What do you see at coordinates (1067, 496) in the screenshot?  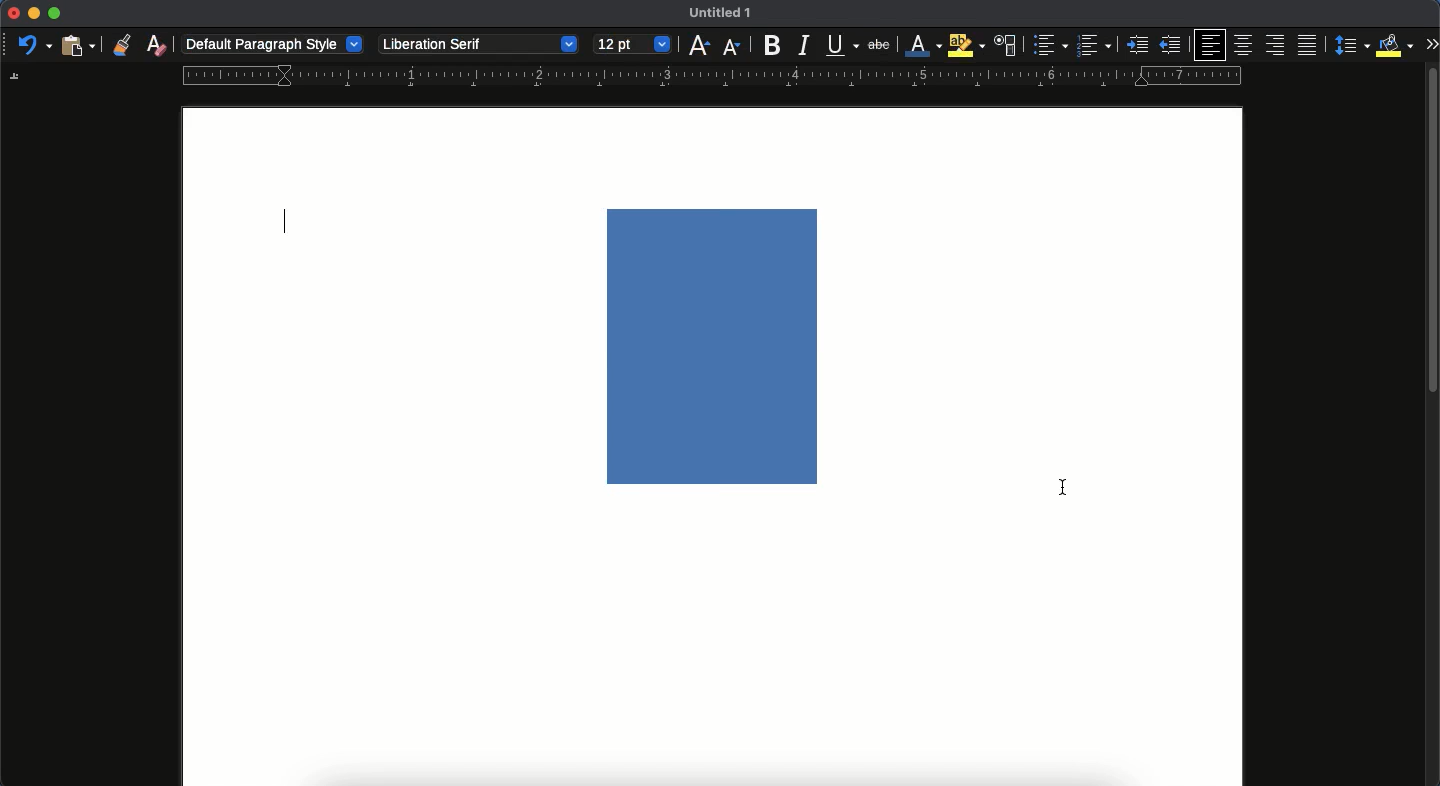 I see `made change` at bounding box center [1067, 496].